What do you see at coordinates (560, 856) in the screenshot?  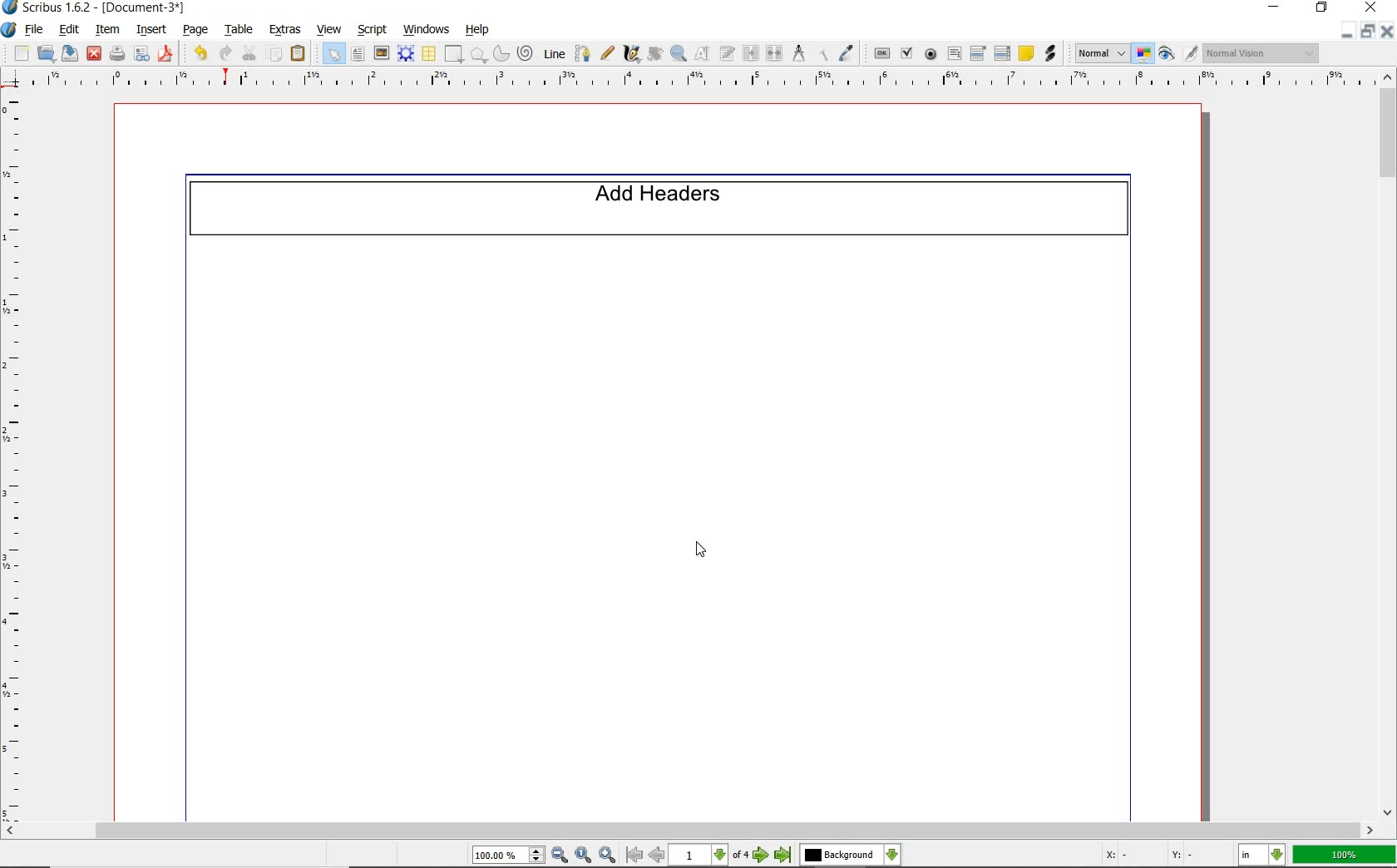 I see `zoom out` at bounding box center [560, 856].